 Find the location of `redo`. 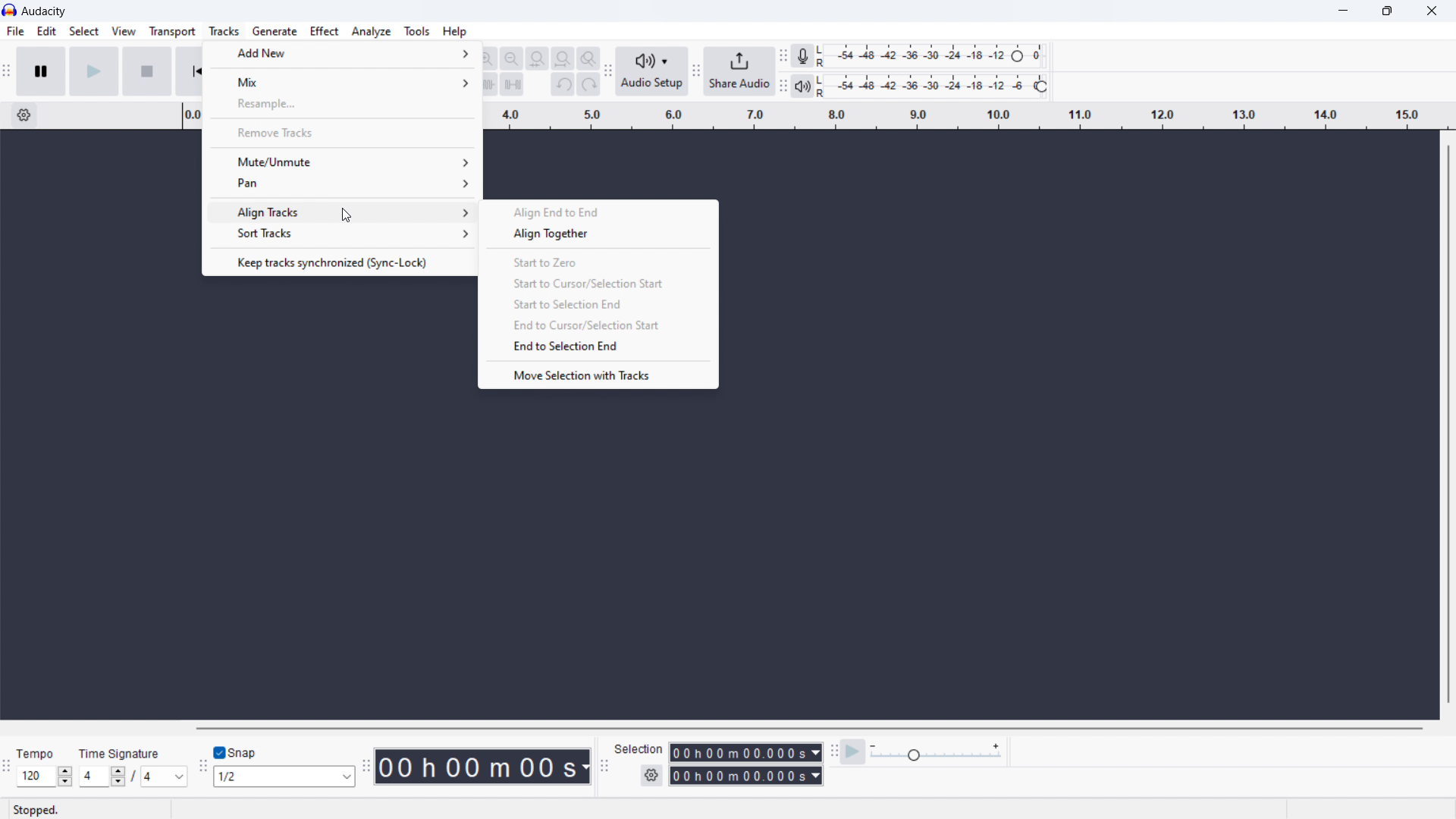

redo is located at coordinates (588, 84).